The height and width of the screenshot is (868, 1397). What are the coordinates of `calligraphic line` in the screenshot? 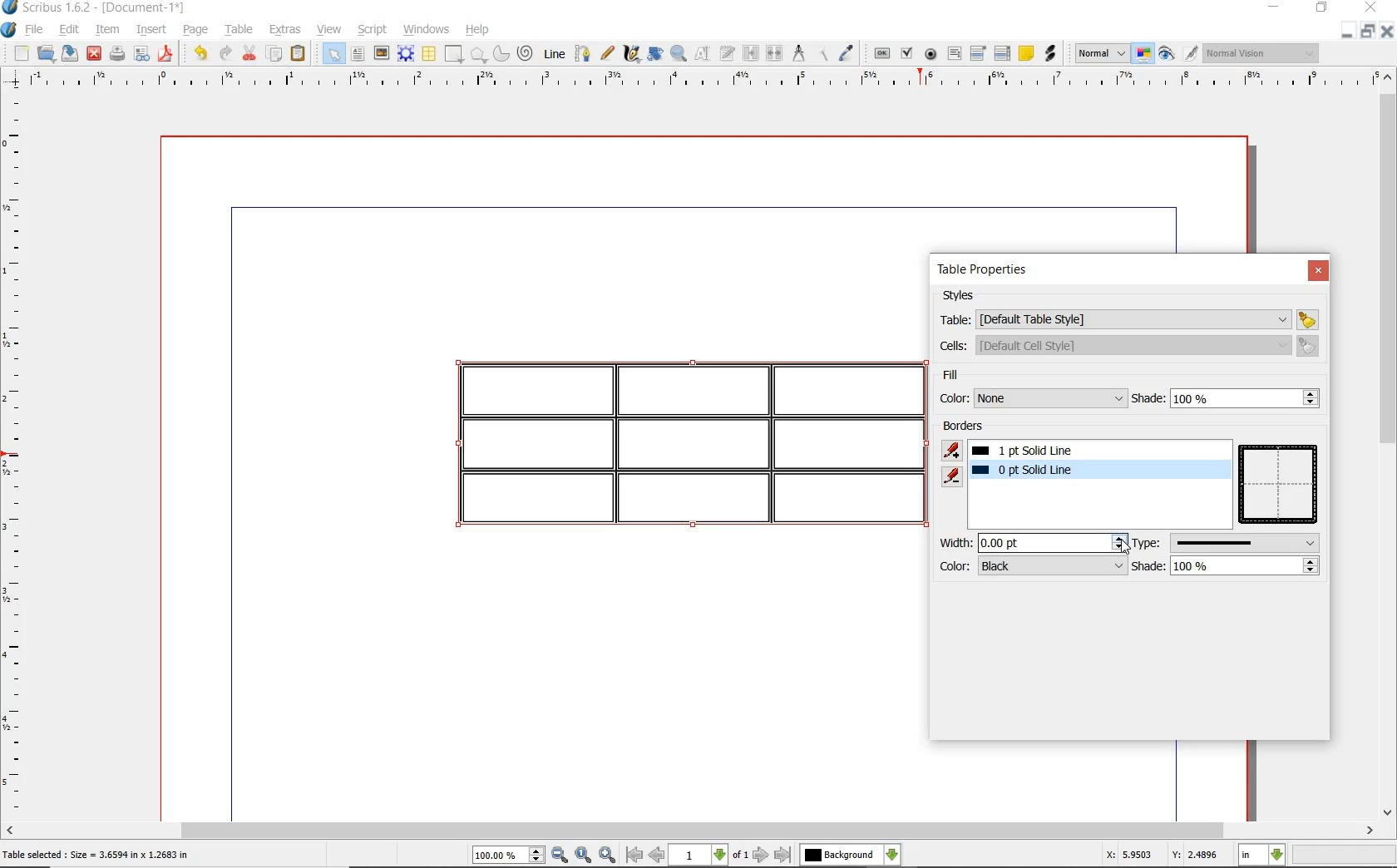 It's located at (630, 53).